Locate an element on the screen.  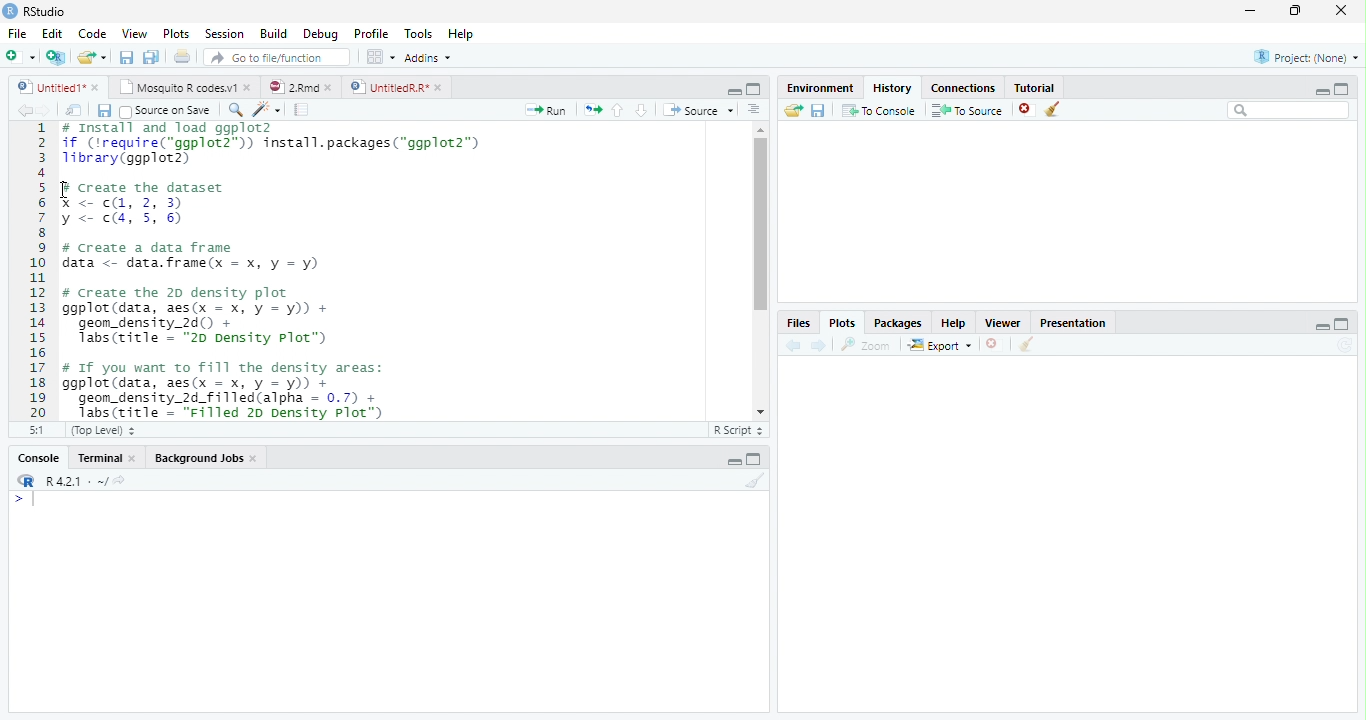
minimize is located at coordinates (1323, 326).